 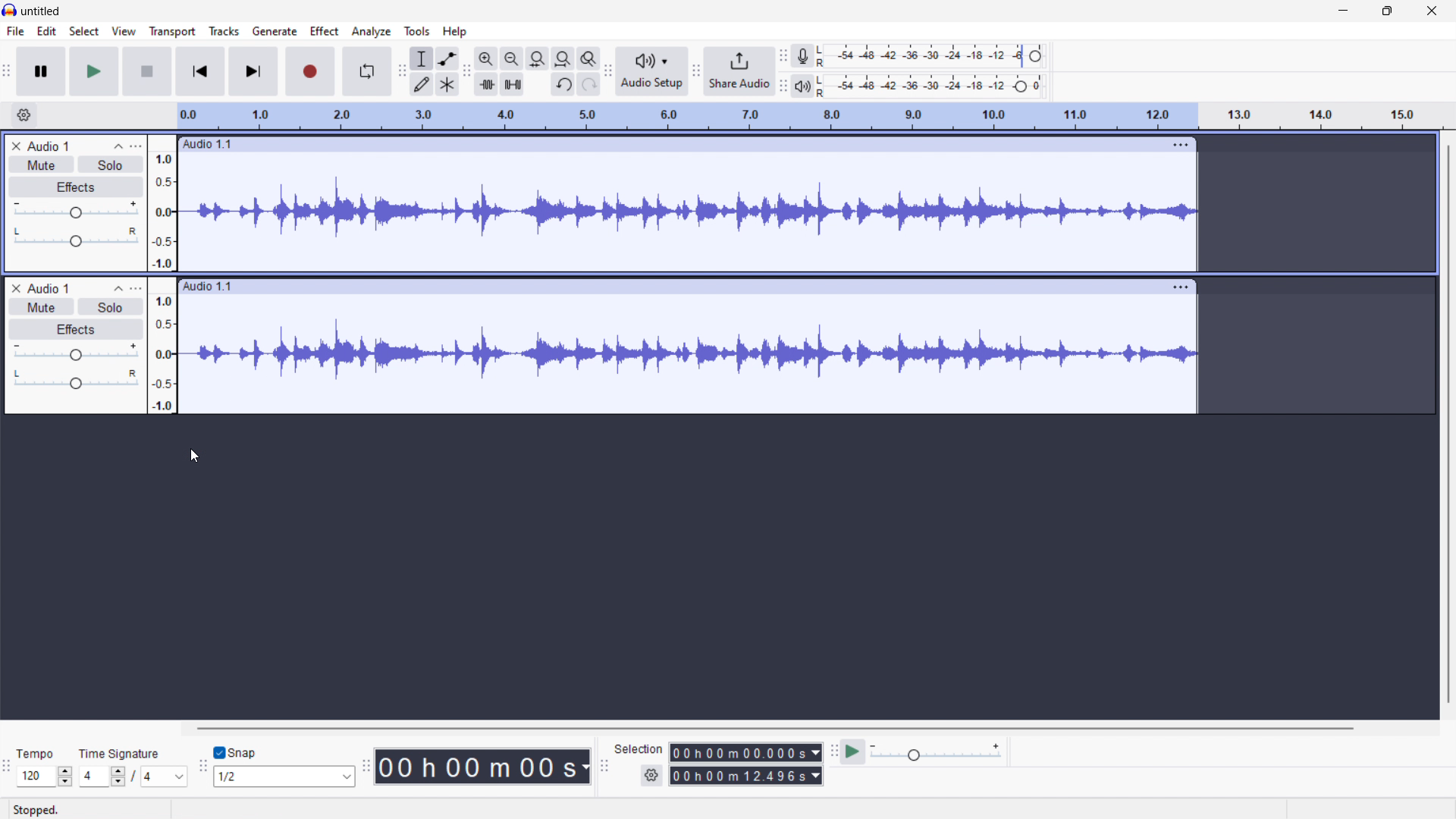 What do you see at coordinates (48, 31) in the screenshot?
I see `edit` at bounding box center [48, 31].